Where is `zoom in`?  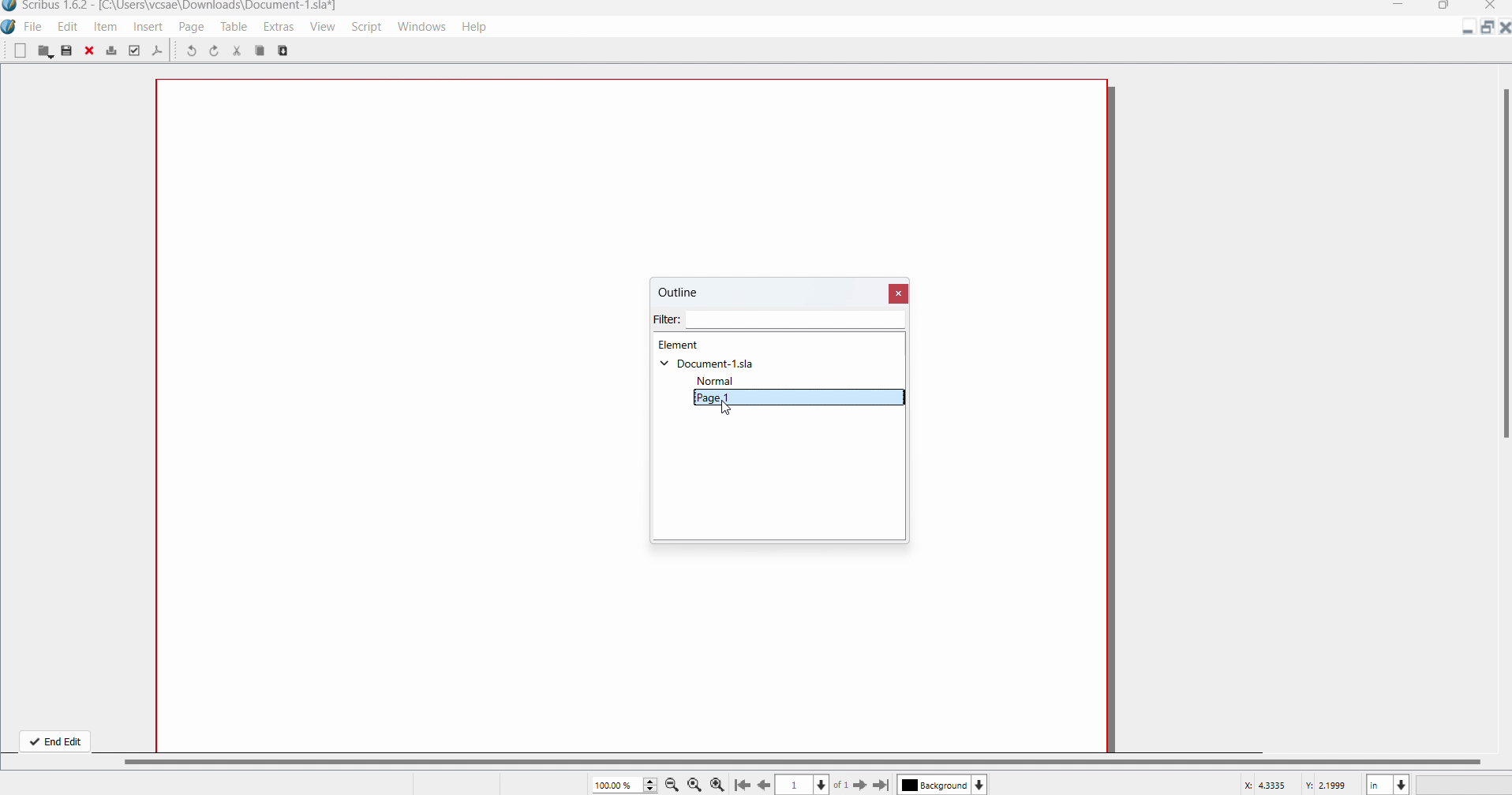 zoom in is located at coordinates (718, 784).